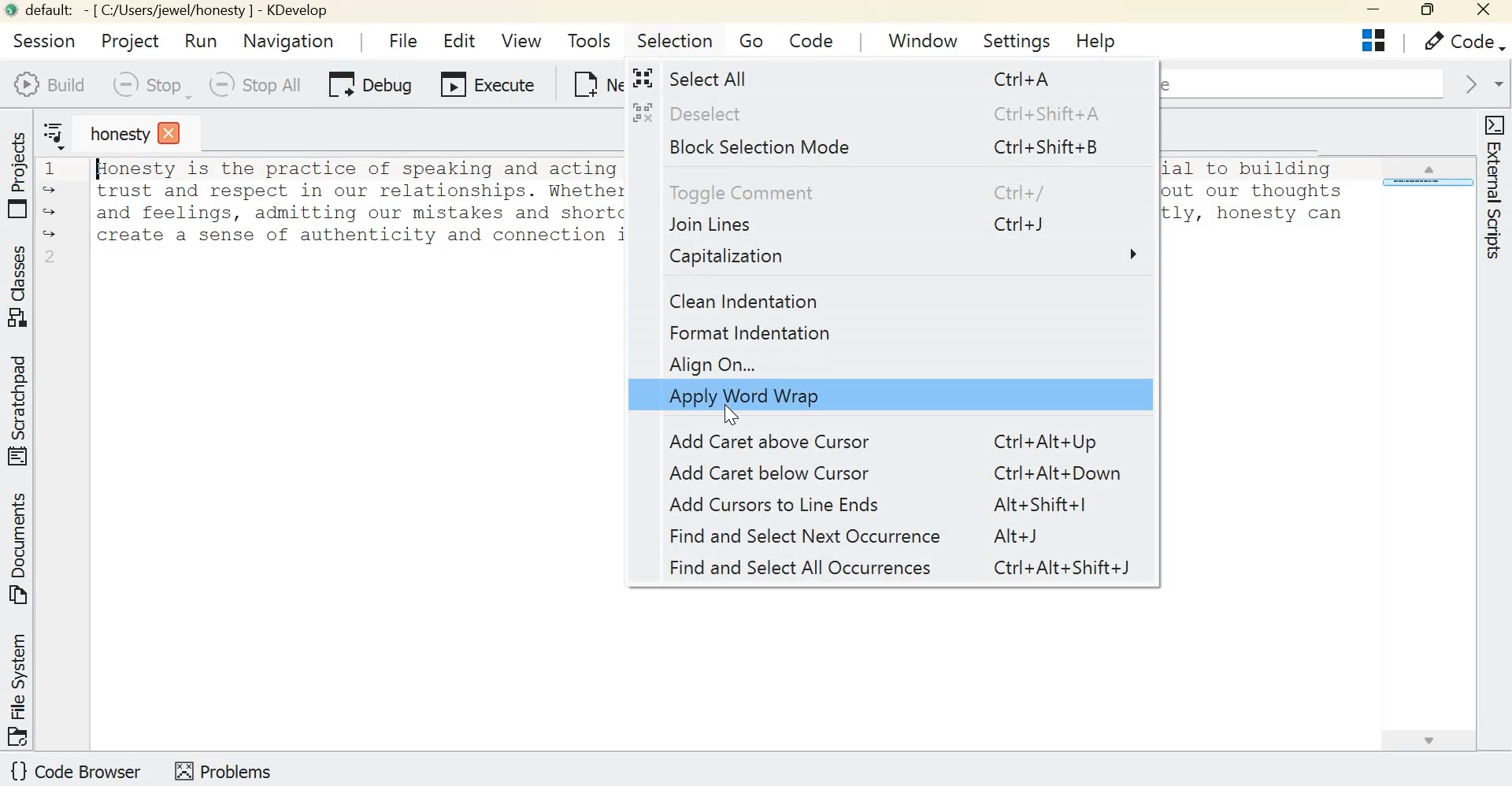 The height and width of the screenshot is (786, 1512). I want to click on Code, so click(815, 39).